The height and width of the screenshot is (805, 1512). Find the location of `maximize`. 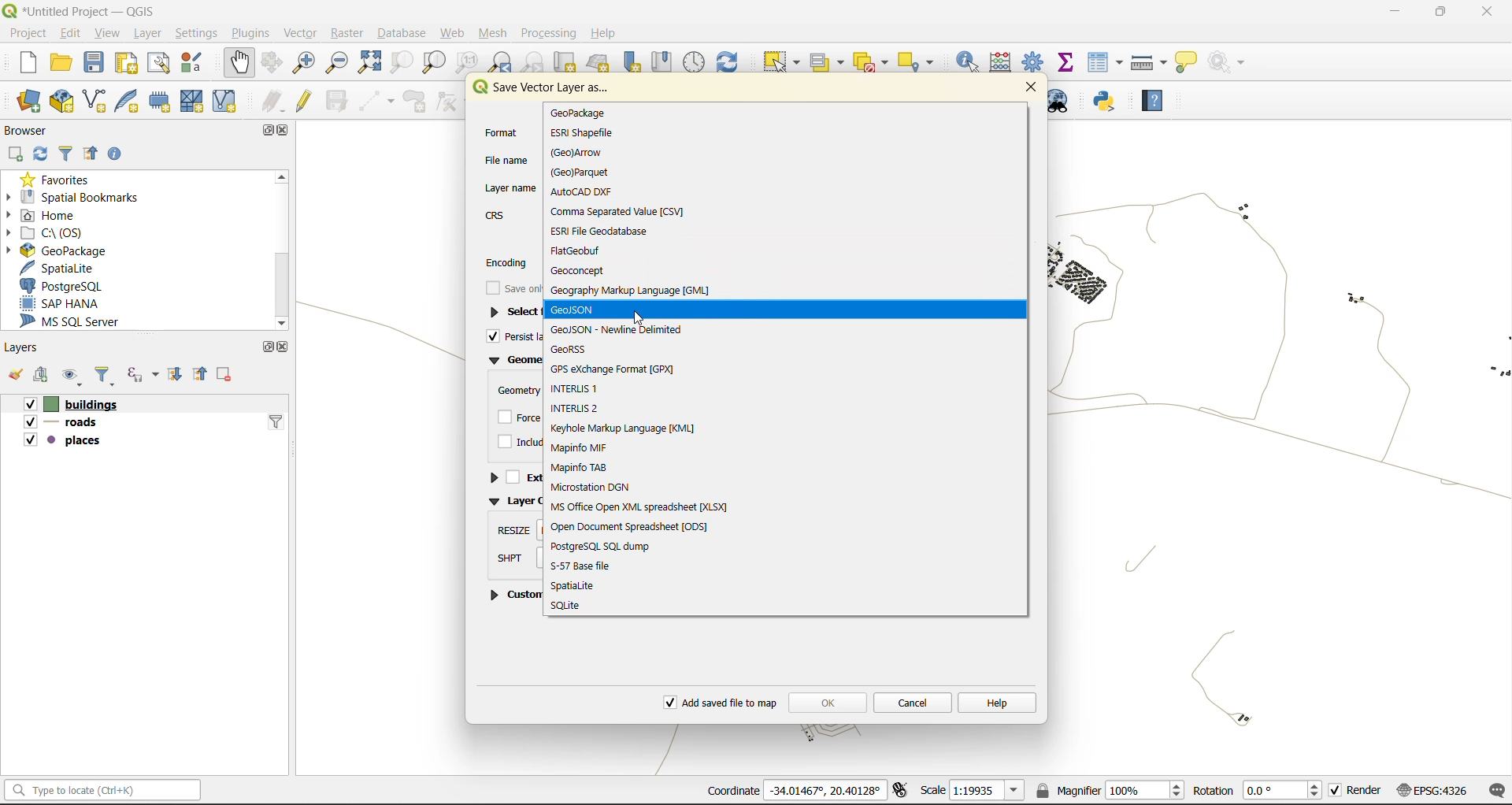

maximize is located at coordinates (269, 348).